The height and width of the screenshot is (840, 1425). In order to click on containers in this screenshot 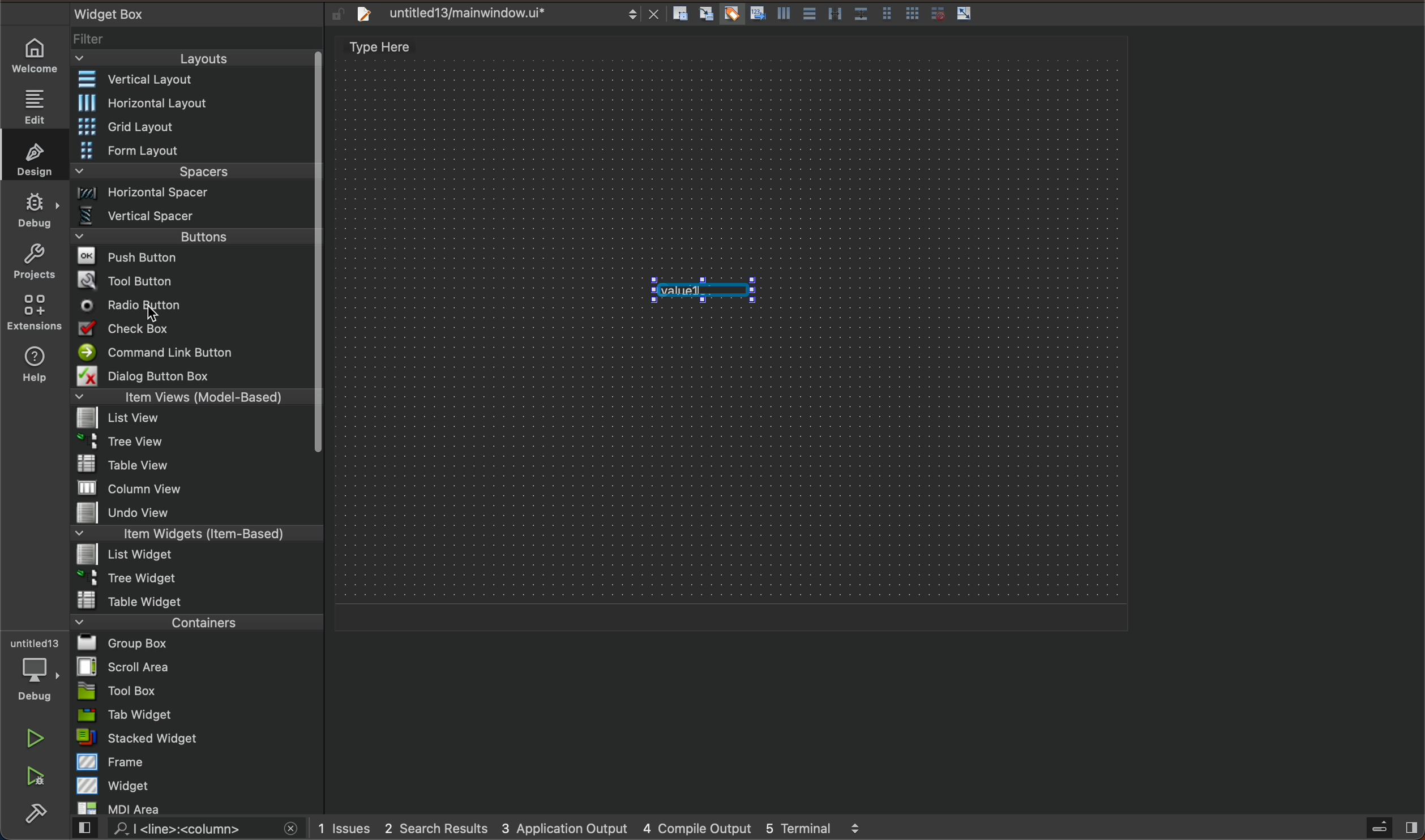, I will do `click(193, 622)`.